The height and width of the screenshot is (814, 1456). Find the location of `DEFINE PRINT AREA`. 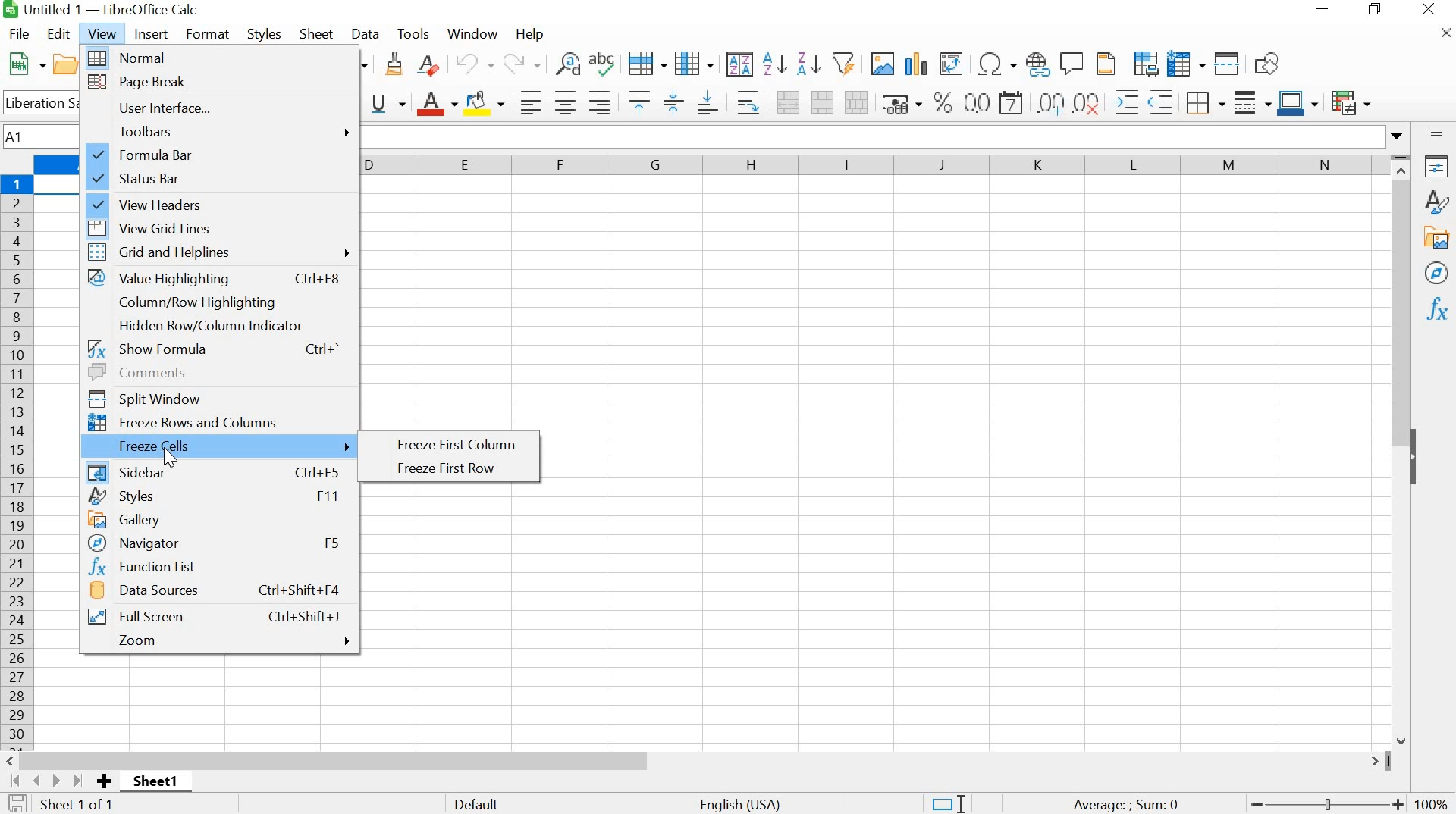

DEFINE PRINT AREA is located at coordinates (1145, 63).